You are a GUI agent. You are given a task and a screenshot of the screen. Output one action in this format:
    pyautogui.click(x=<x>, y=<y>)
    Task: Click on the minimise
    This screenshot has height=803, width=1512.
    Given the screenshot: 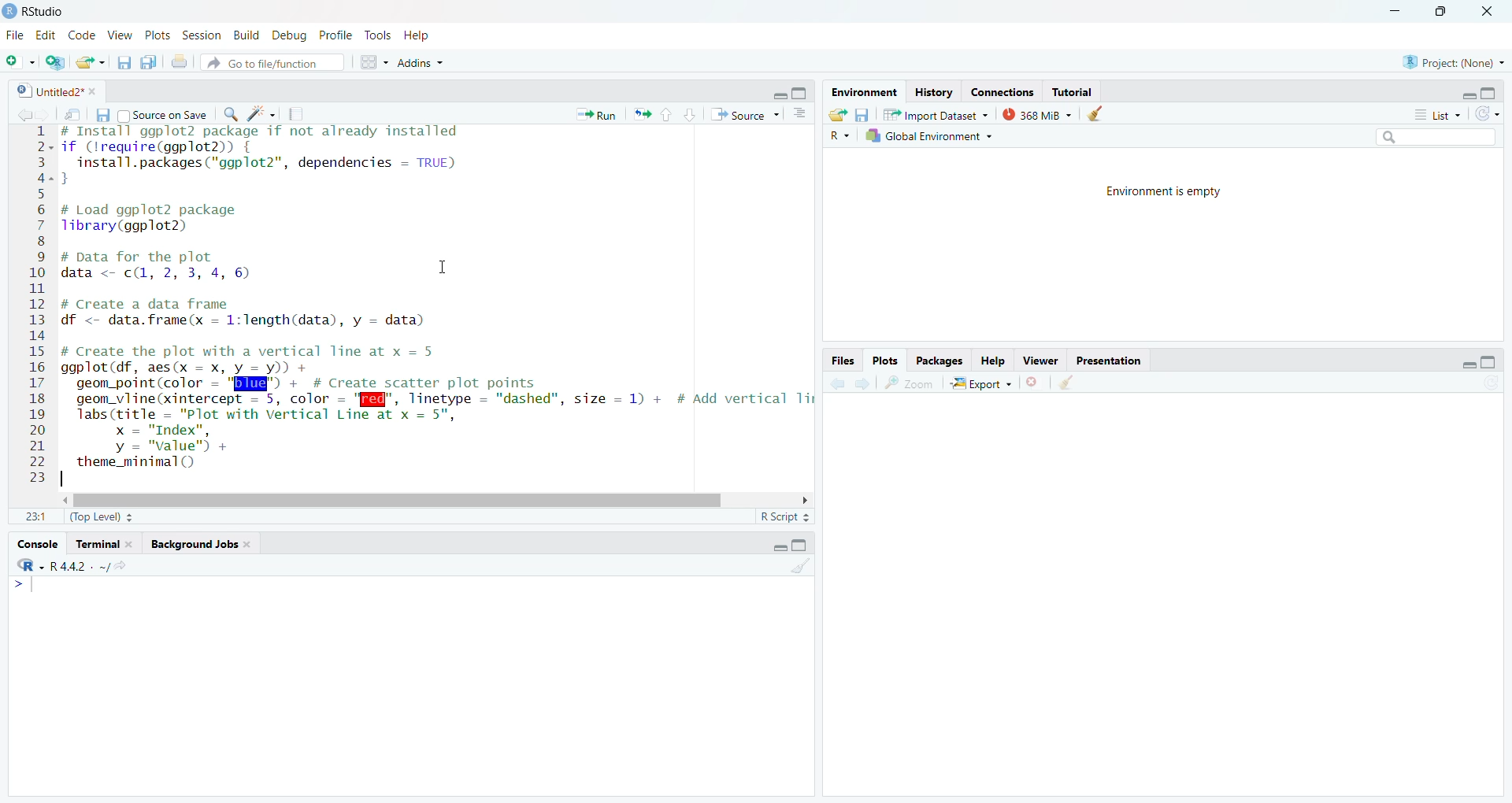 What is the action you would take?
    pyautogui.click(x=775, y=94)
    